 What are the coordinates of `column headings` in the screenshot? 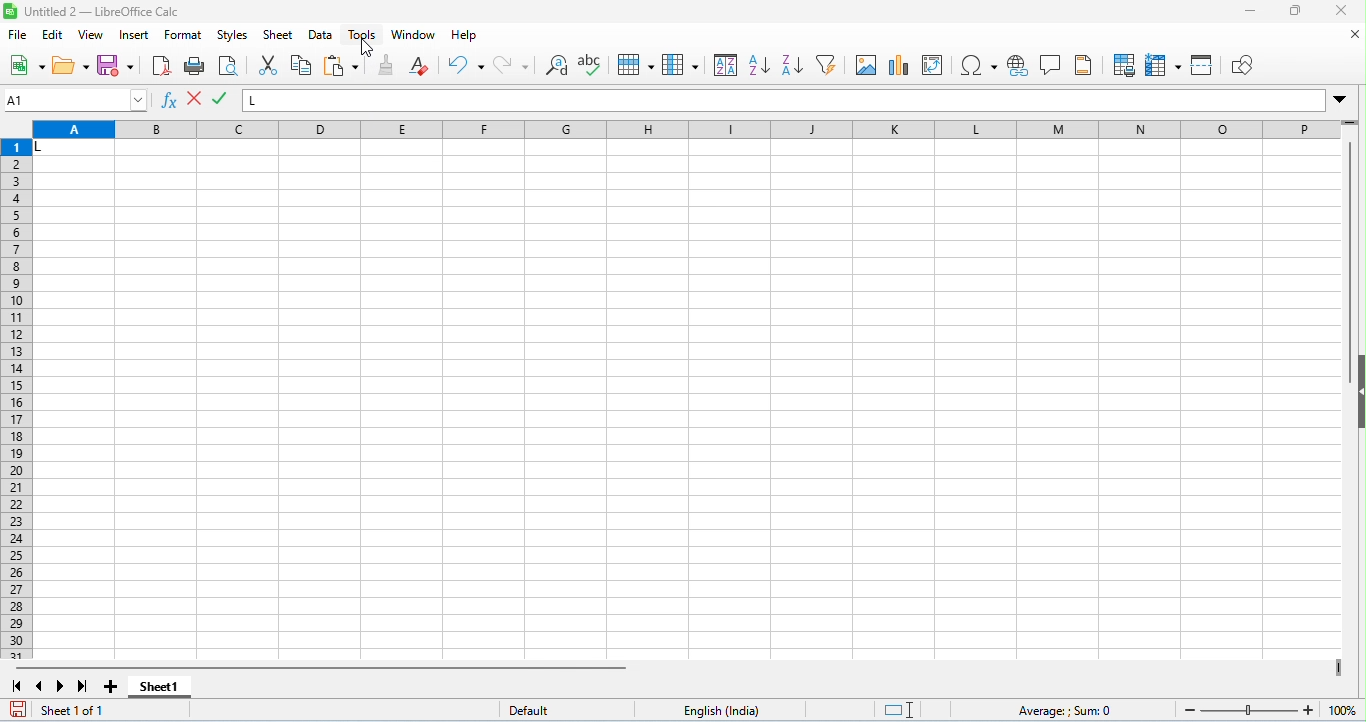 It's located at (685, 129).